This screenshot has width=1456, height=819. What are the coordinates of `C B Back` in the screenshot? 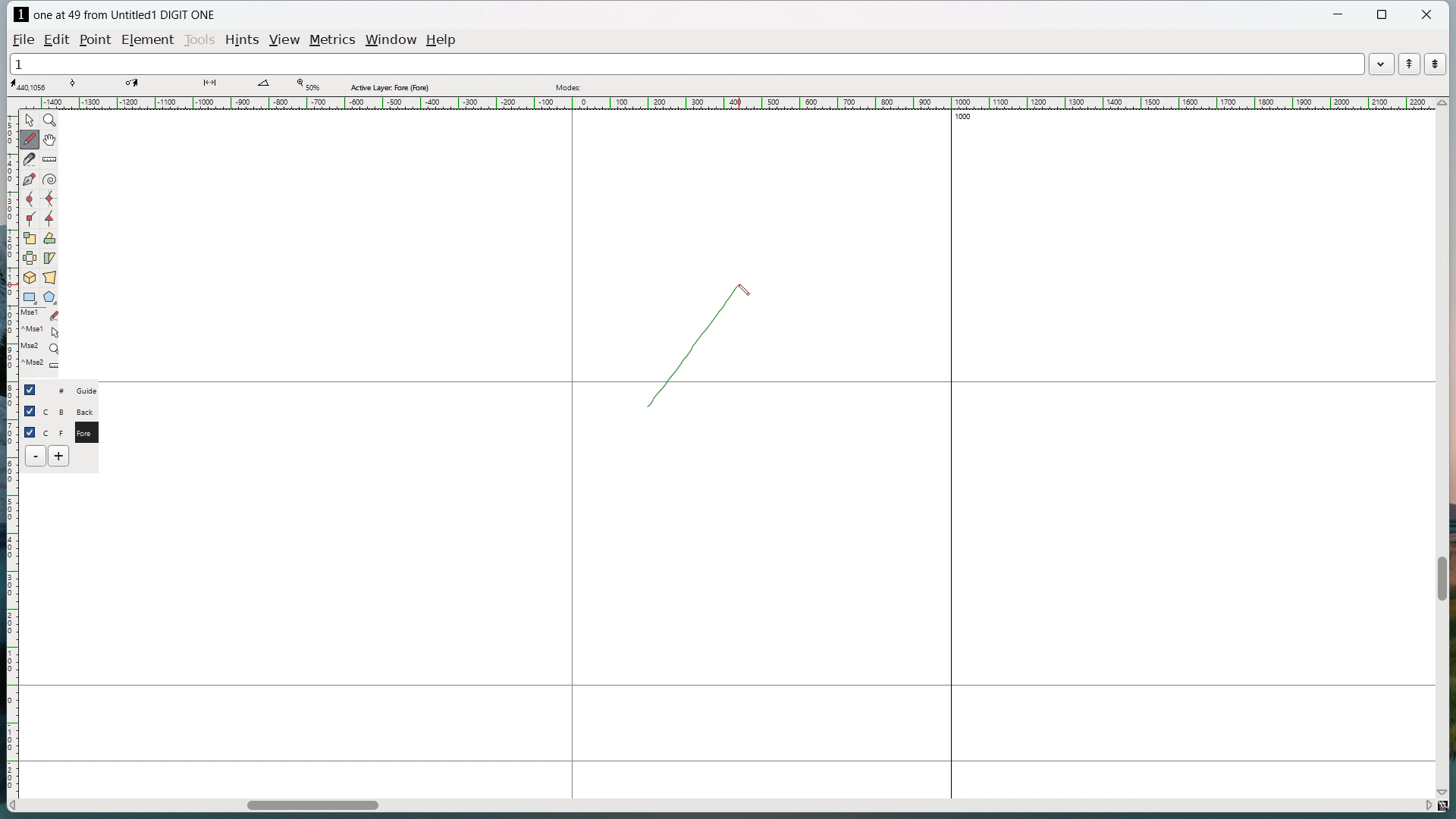 It's located at (71, 409).